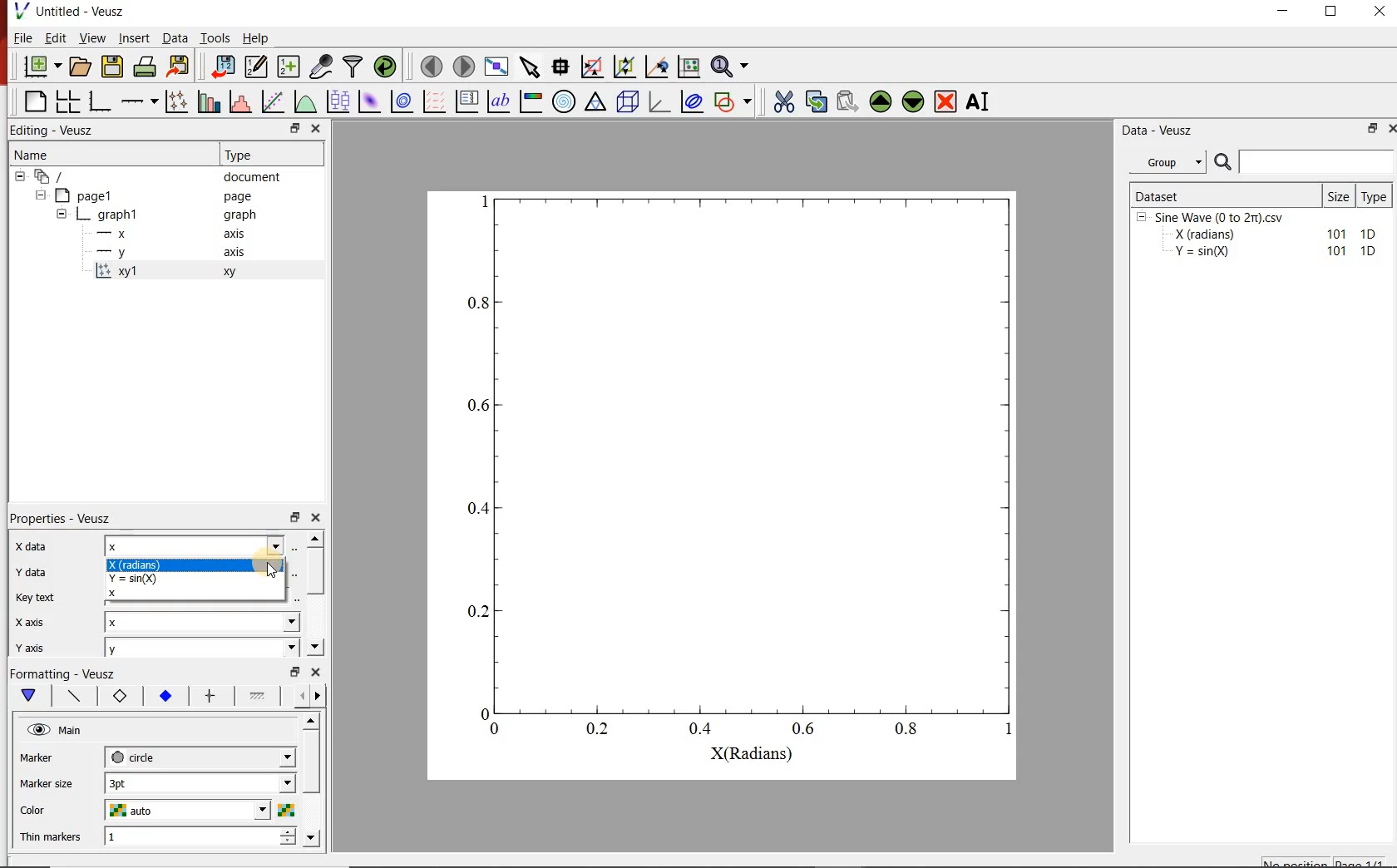 This screenshot has width=1397, height=868. I want to click on plot bar charts, so click(211, 100).